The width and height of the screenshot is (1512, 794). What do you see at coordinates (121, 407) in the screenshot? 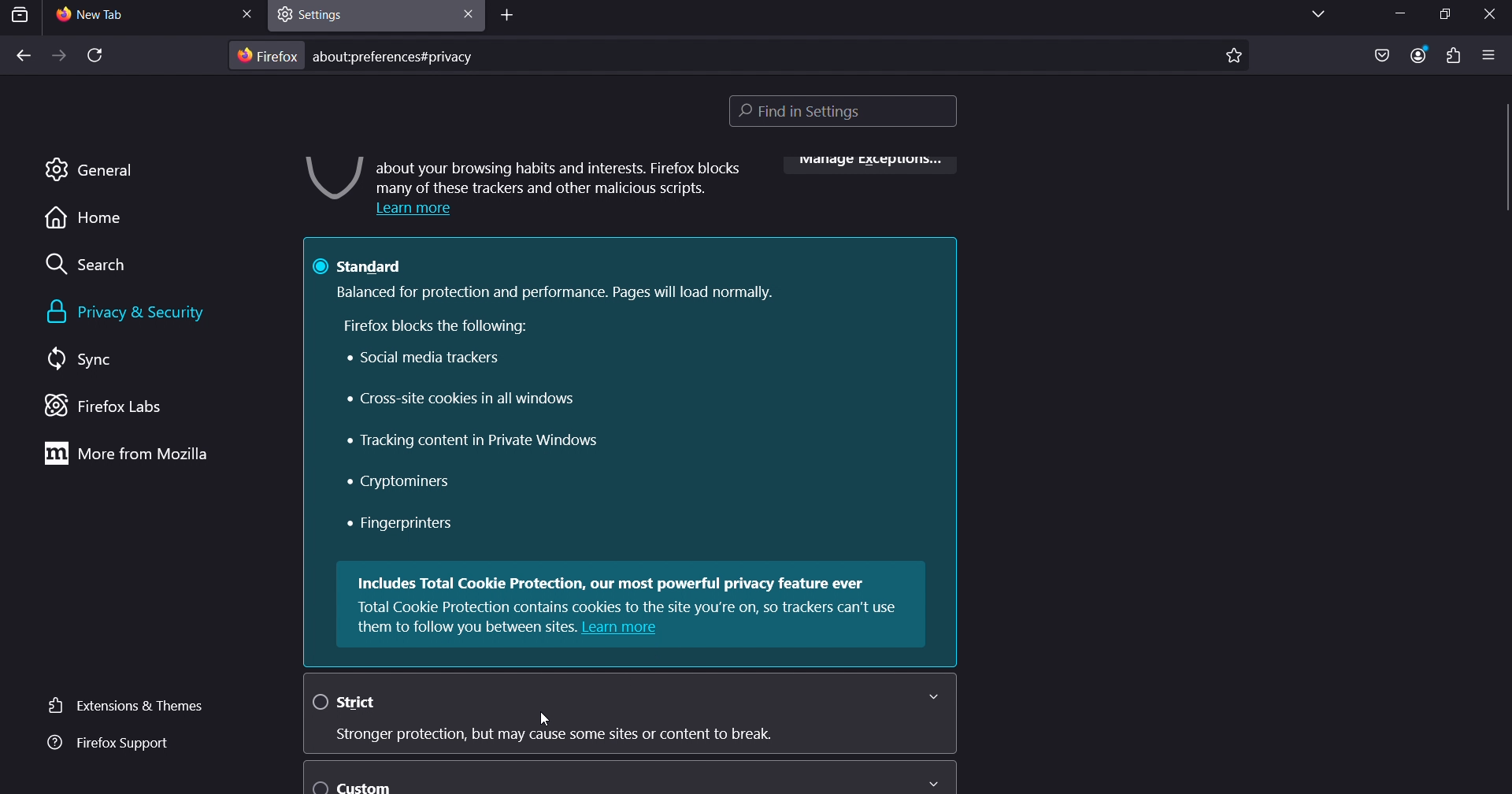
I see `firefox labs` at bounding box center [121, 407].